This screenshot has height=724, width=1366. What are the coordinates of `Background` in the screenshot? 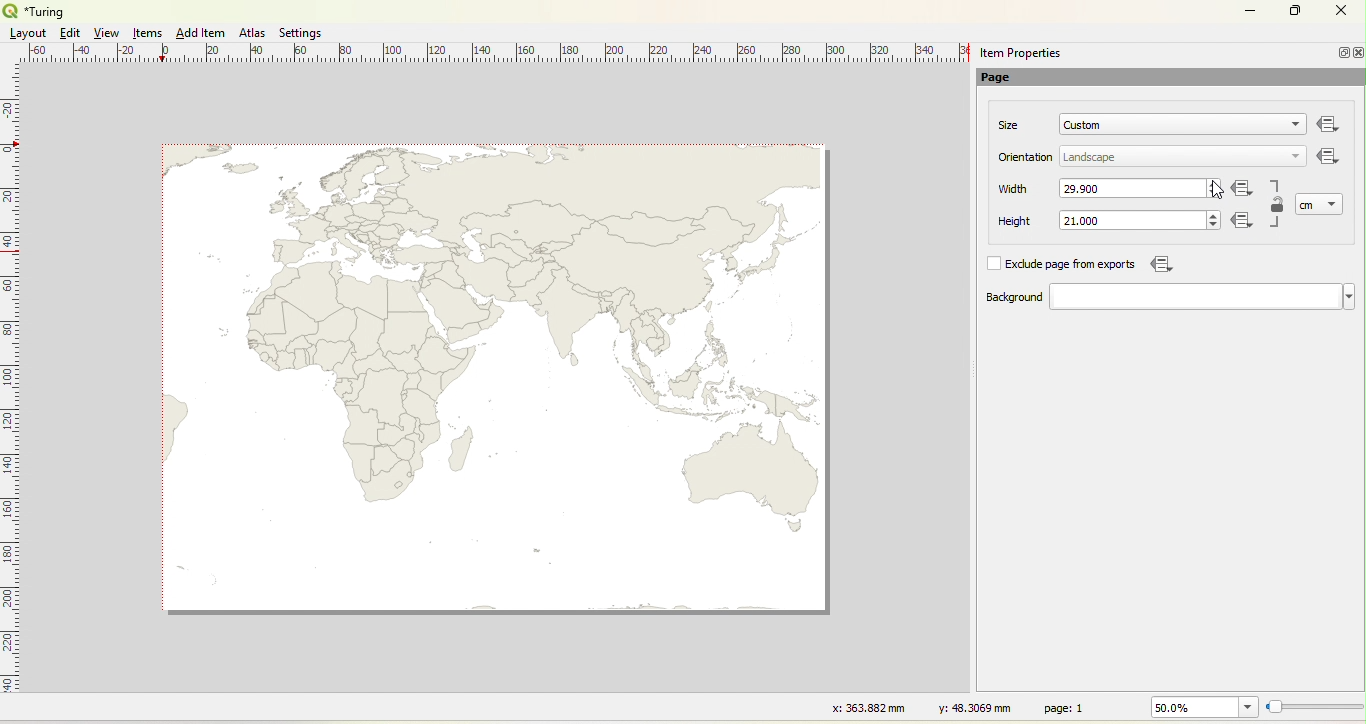 It's located at (994, 298).